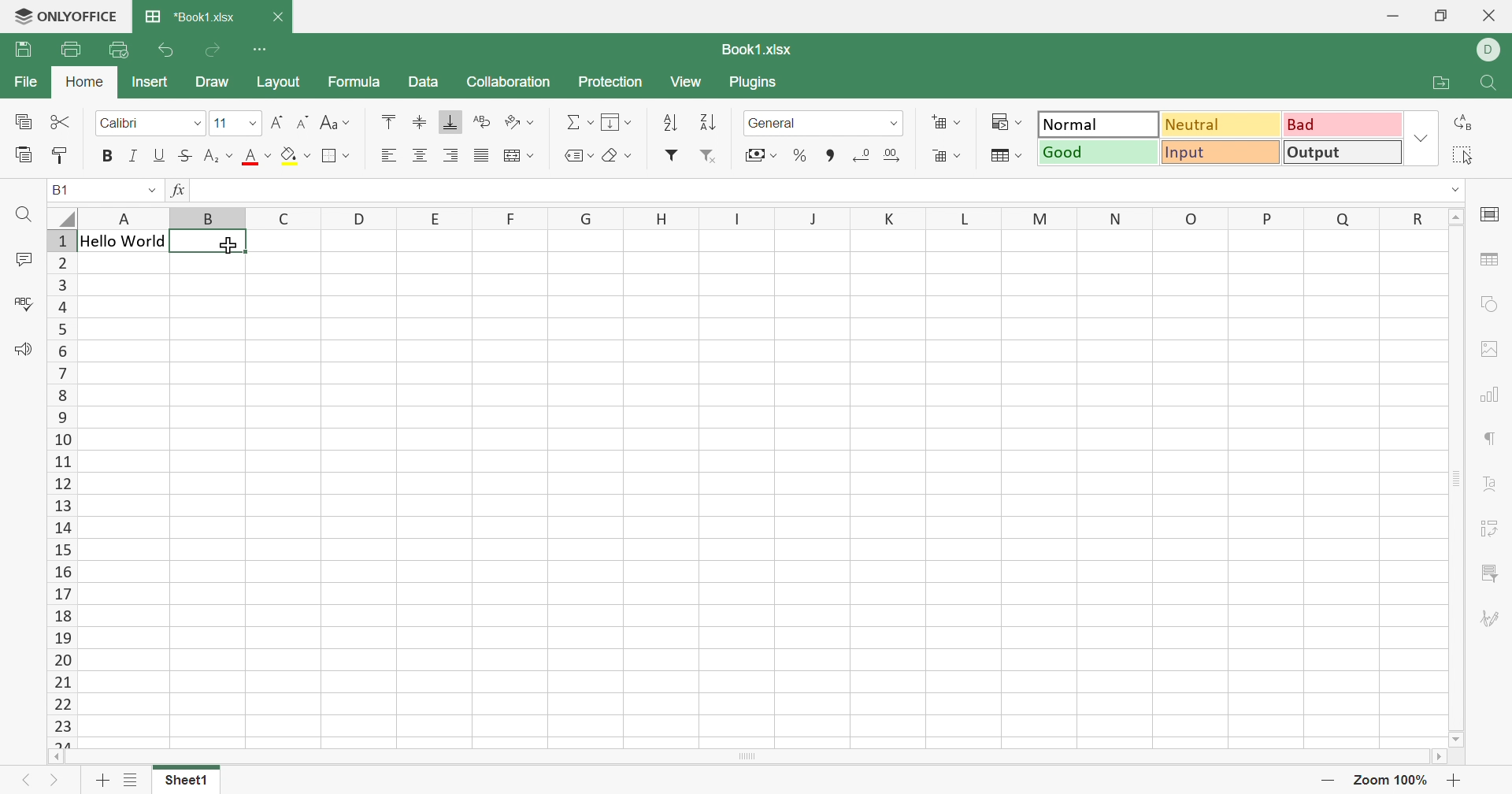 The width and height of the screenshot is (1512, 794). I want to click on Strikethrough, so click(184, 154).